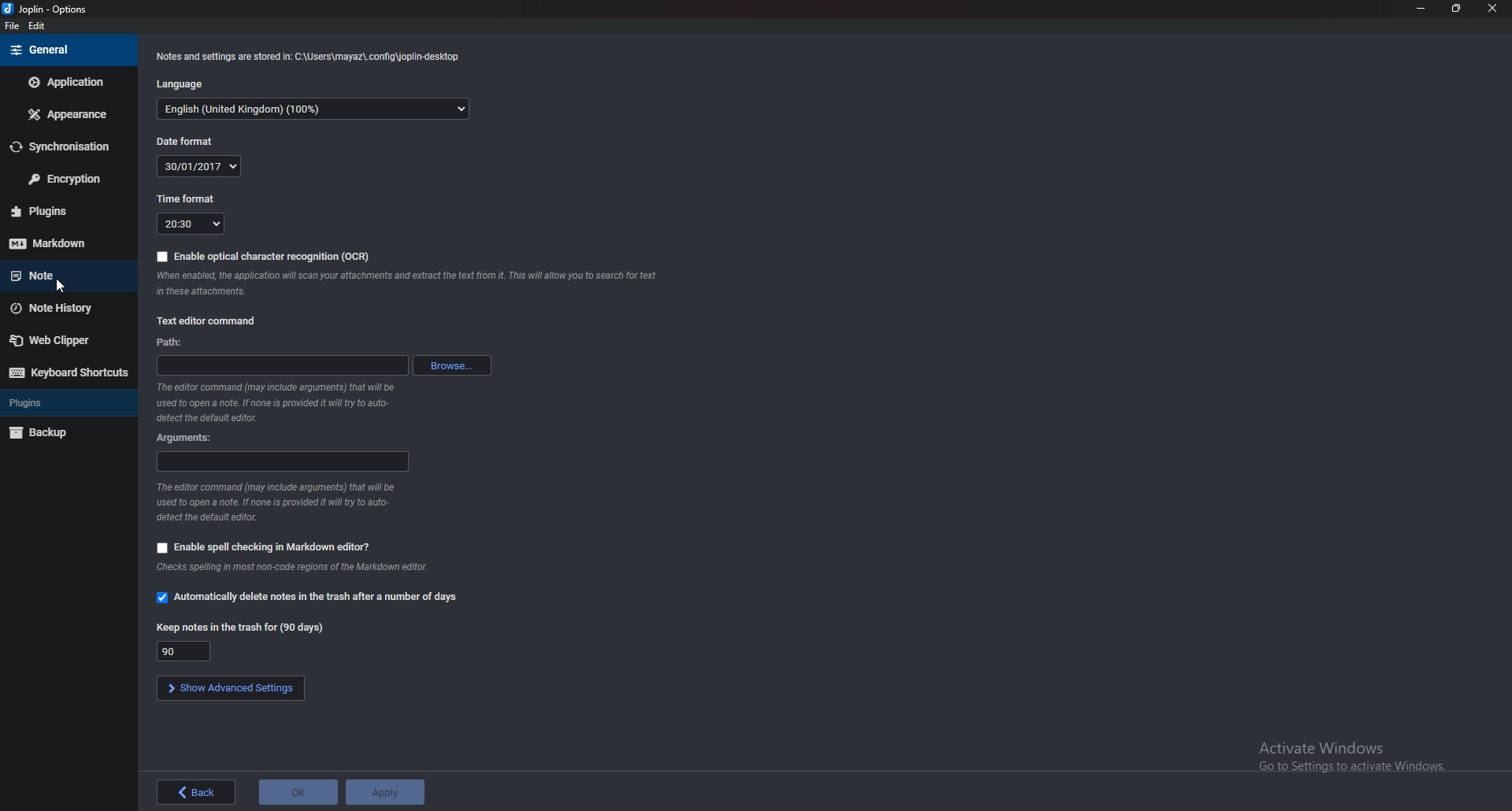 Image resolution: width=1512 pixels, height=811 pixels. What do you see at coordinates (278, 502) in the screenshot?
I see `Info` at bounding box center [278, 502].